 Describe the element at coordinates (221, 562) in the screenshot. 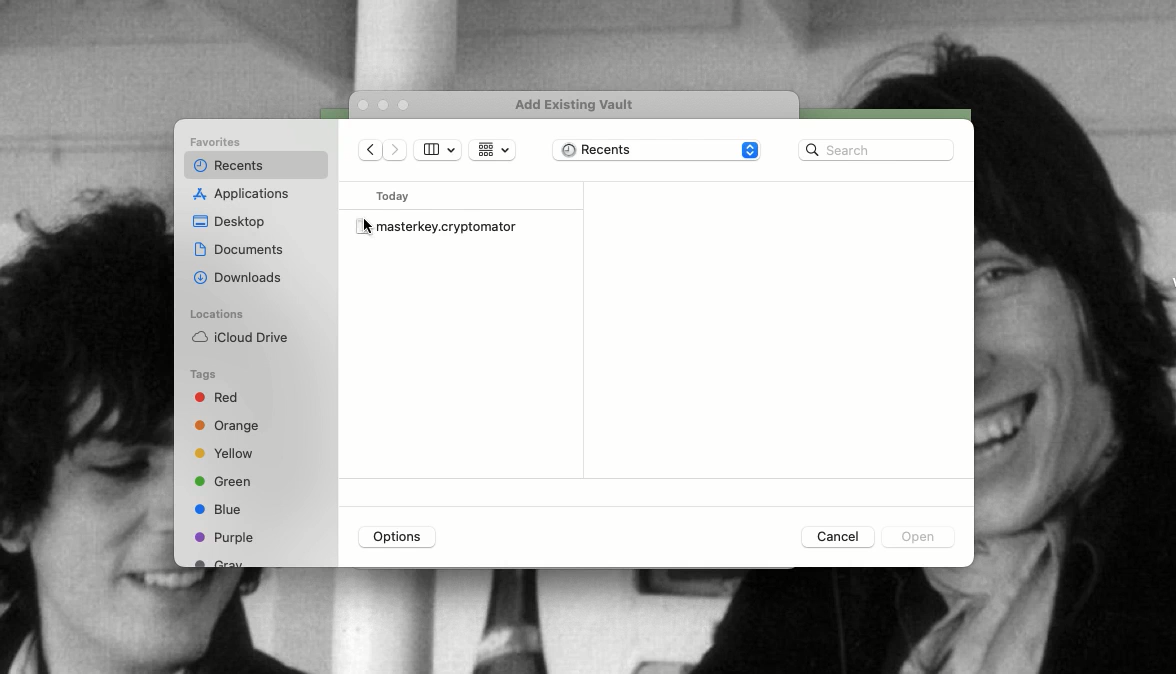

I see `Gray` at that location.